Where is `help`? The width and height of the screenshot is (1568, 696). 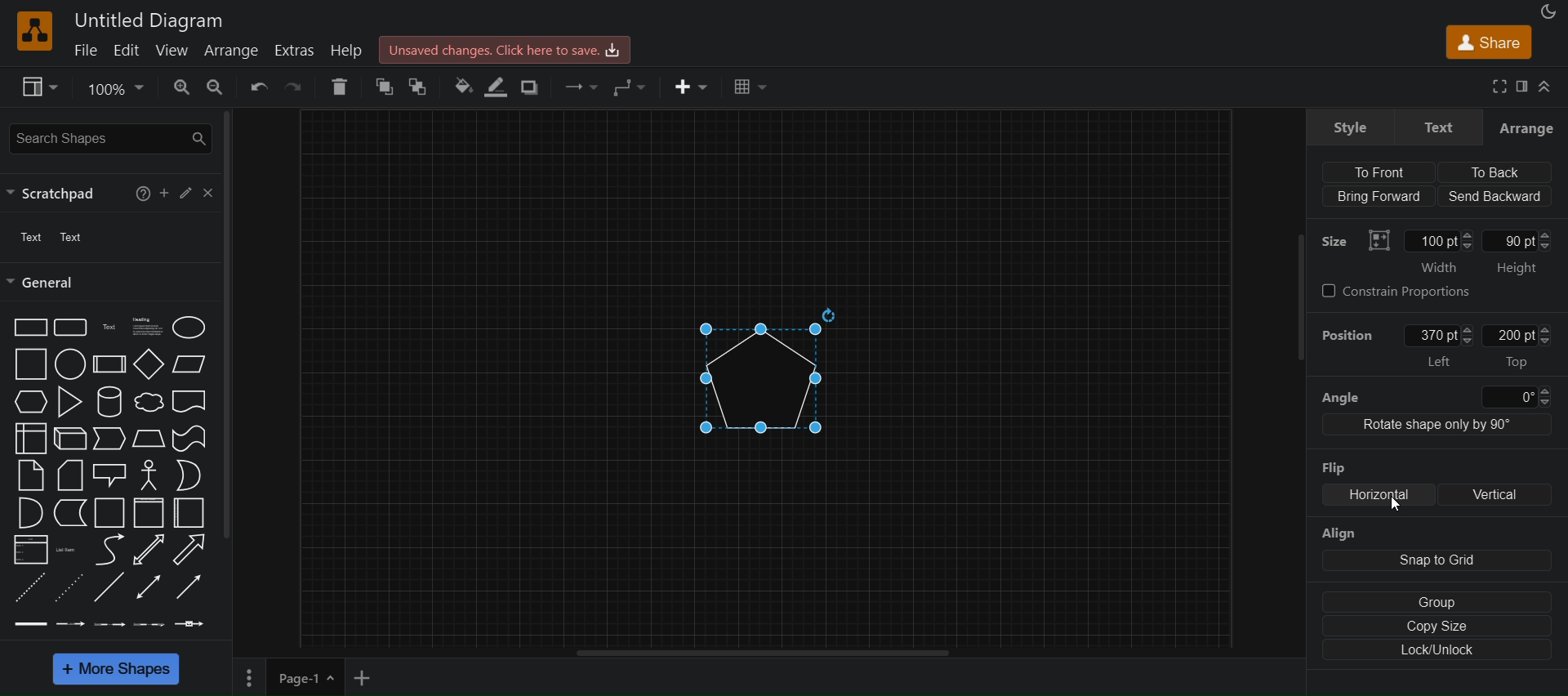 help is located at coordinates (346, 51).